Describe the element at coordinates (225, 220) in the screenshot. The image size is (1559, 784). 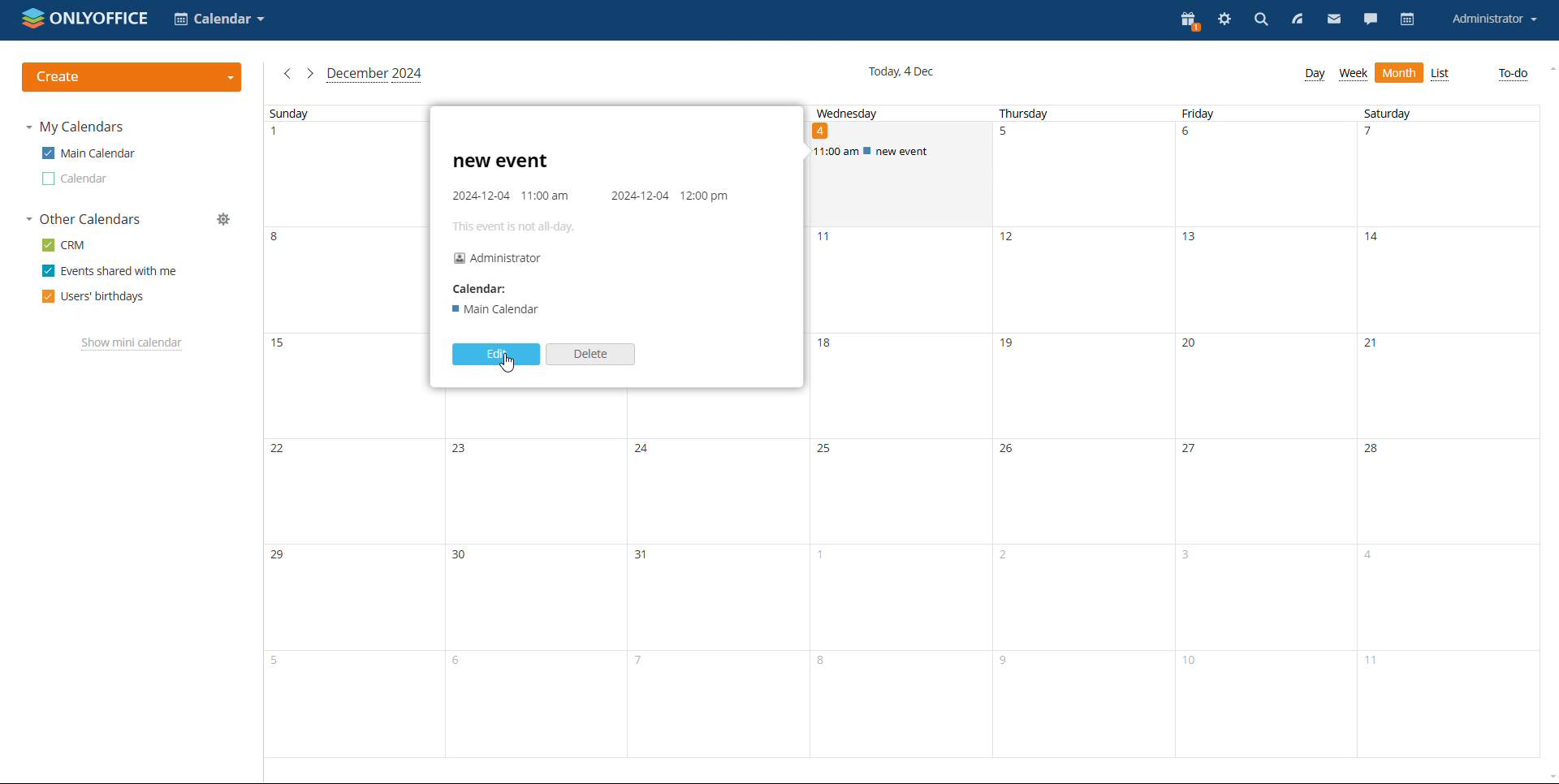
I see `manage` at that location.